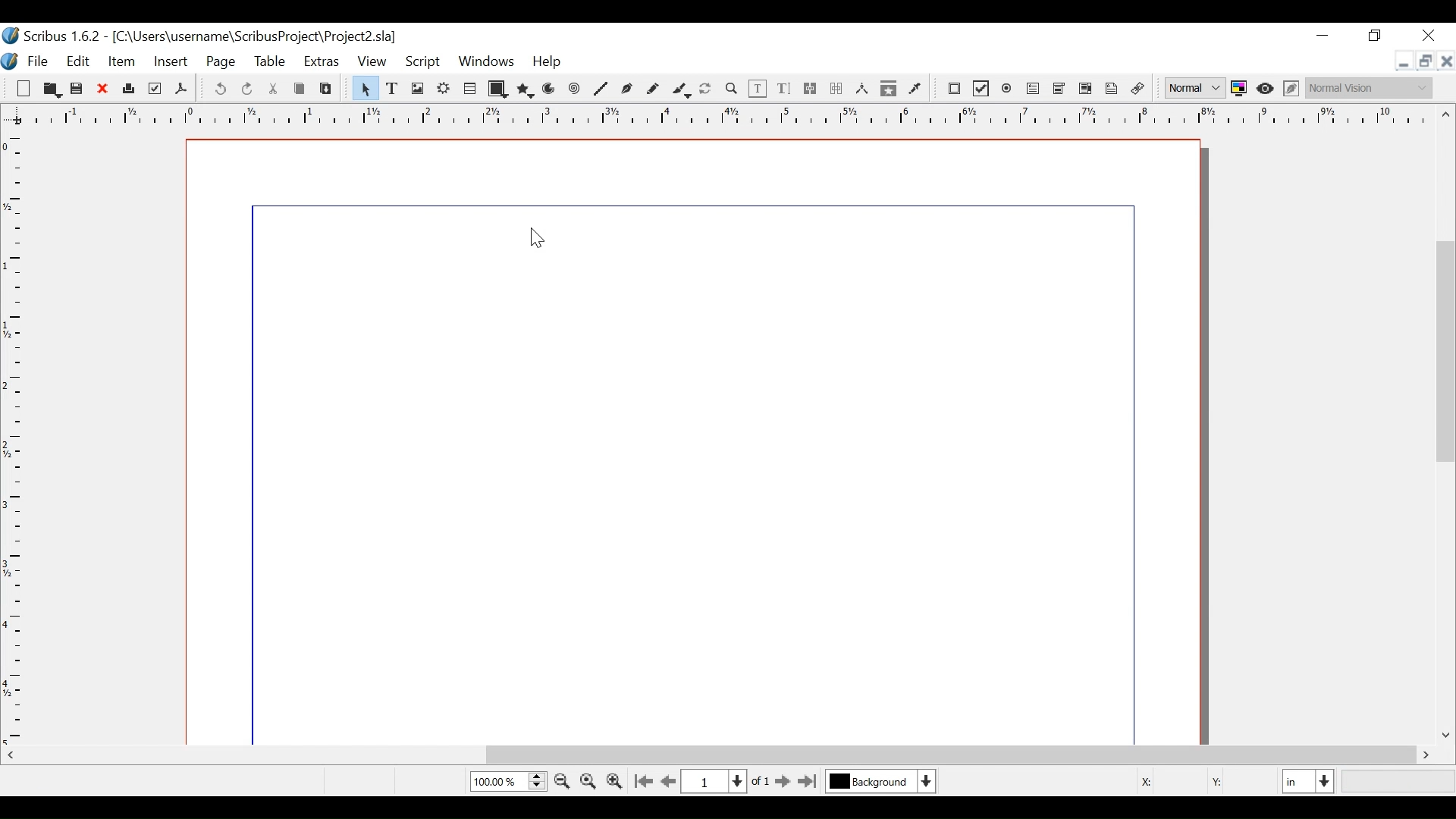 This screenshot has height=819, width=1456. Describe the element at coordinates (78, 90) in the screenshot. I see `Save` at that location.